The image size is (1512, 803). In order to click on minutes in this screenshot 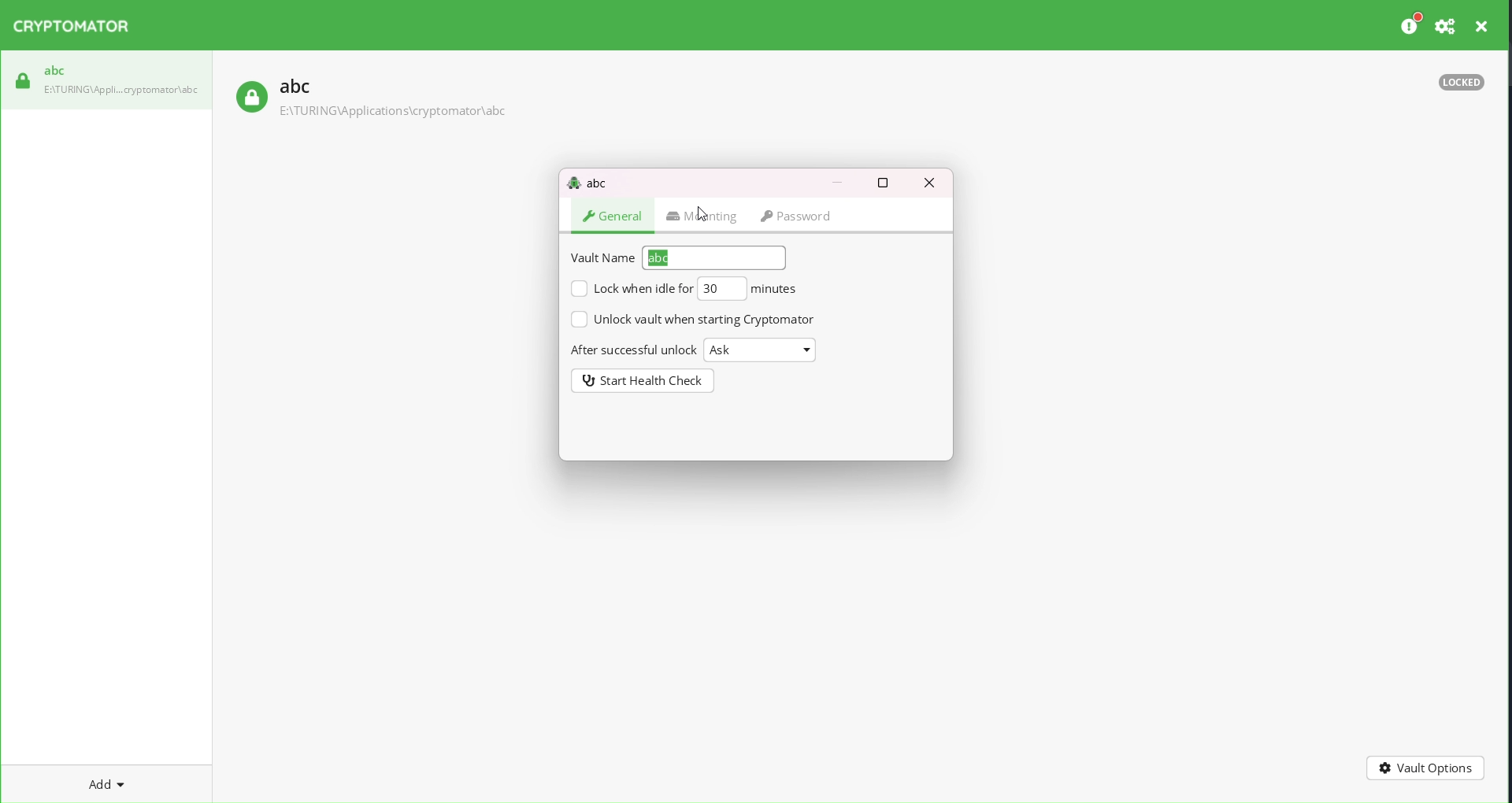, I will do `click(779, 288)`.